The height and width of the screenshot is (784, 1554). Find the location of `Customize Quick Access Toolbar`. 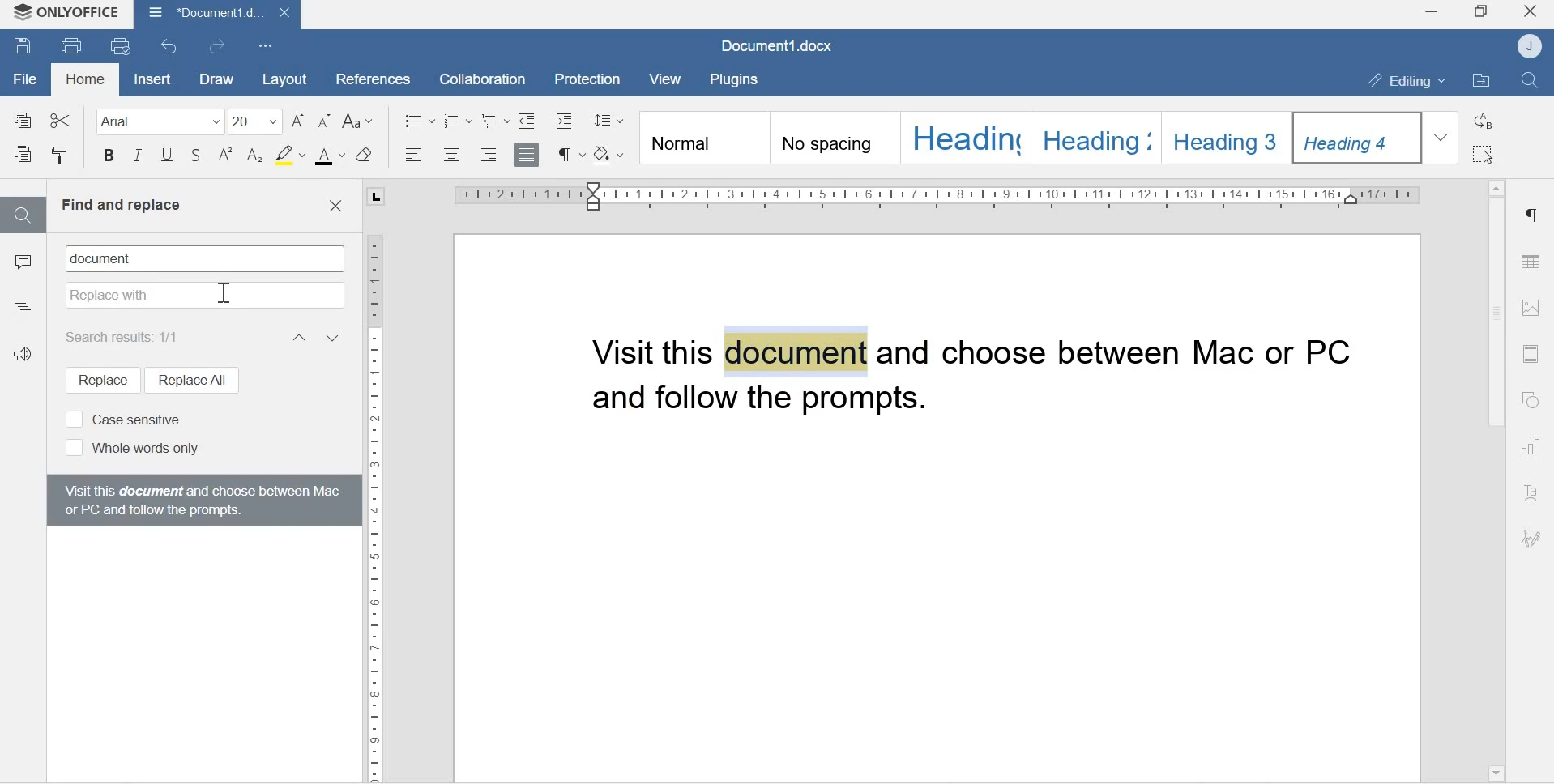

Customize Quick Access Toolbar is located at coordinates (267, 45).